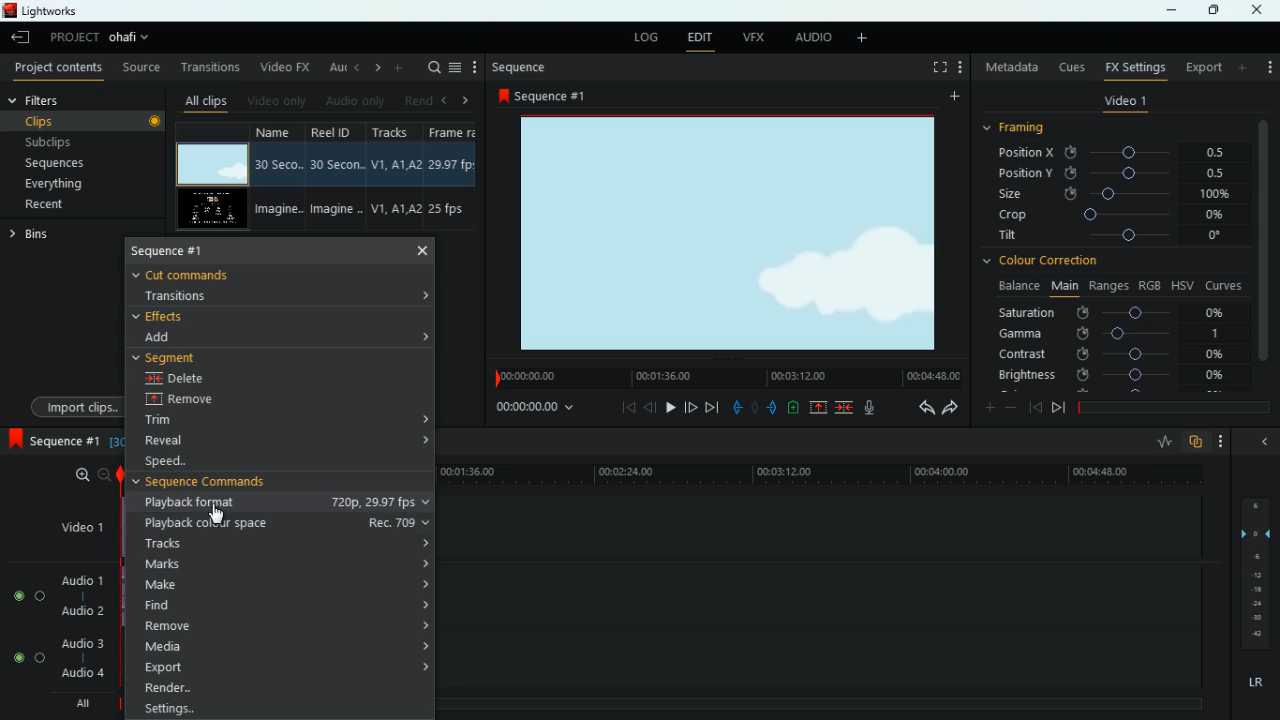 The image size is (1280, 720). What do you see at coordinates (74, 405) in the screenshot?
I see `import clips` at bounding box center [74, 405].